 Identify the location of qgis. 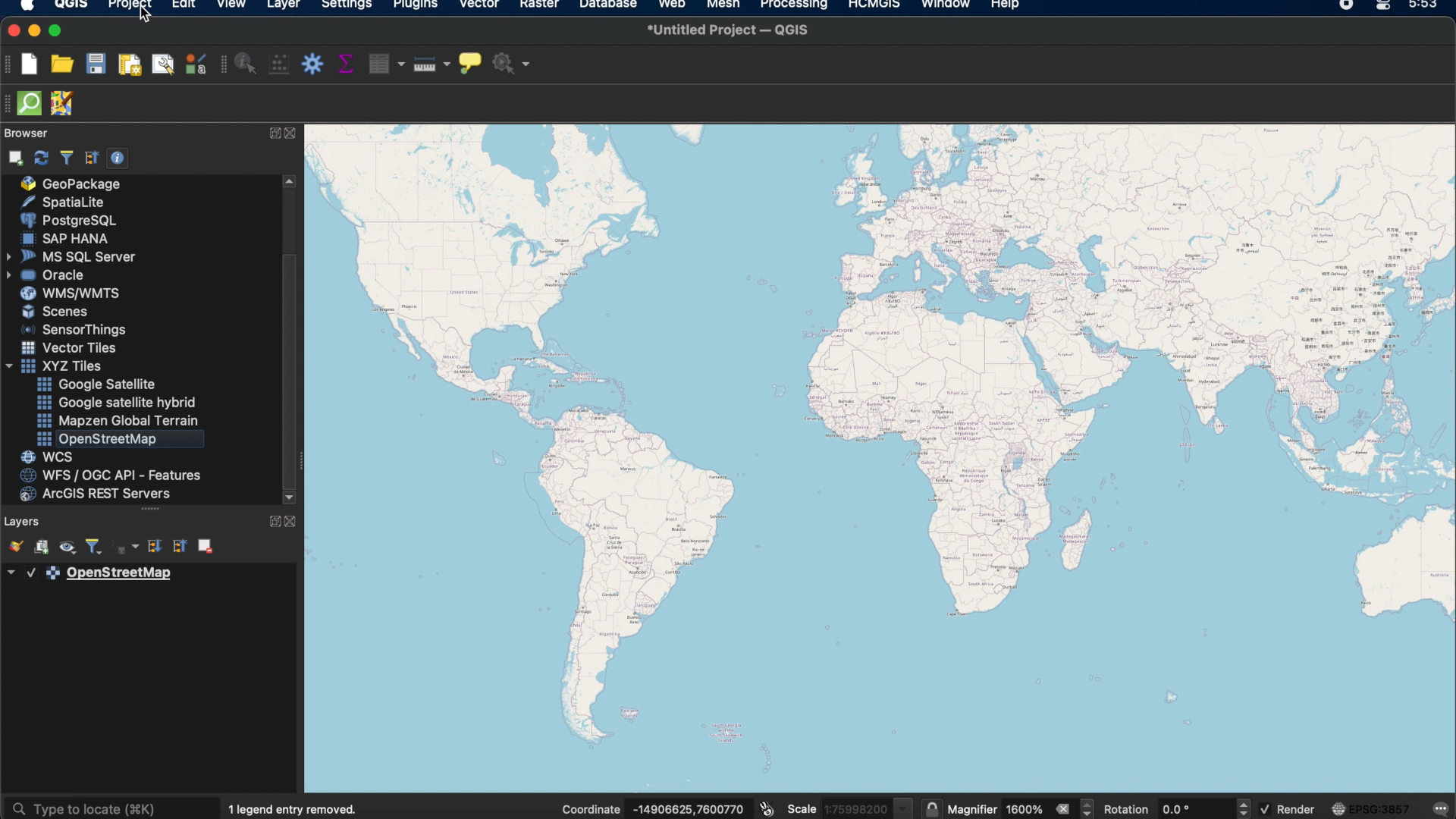
(69, 6).